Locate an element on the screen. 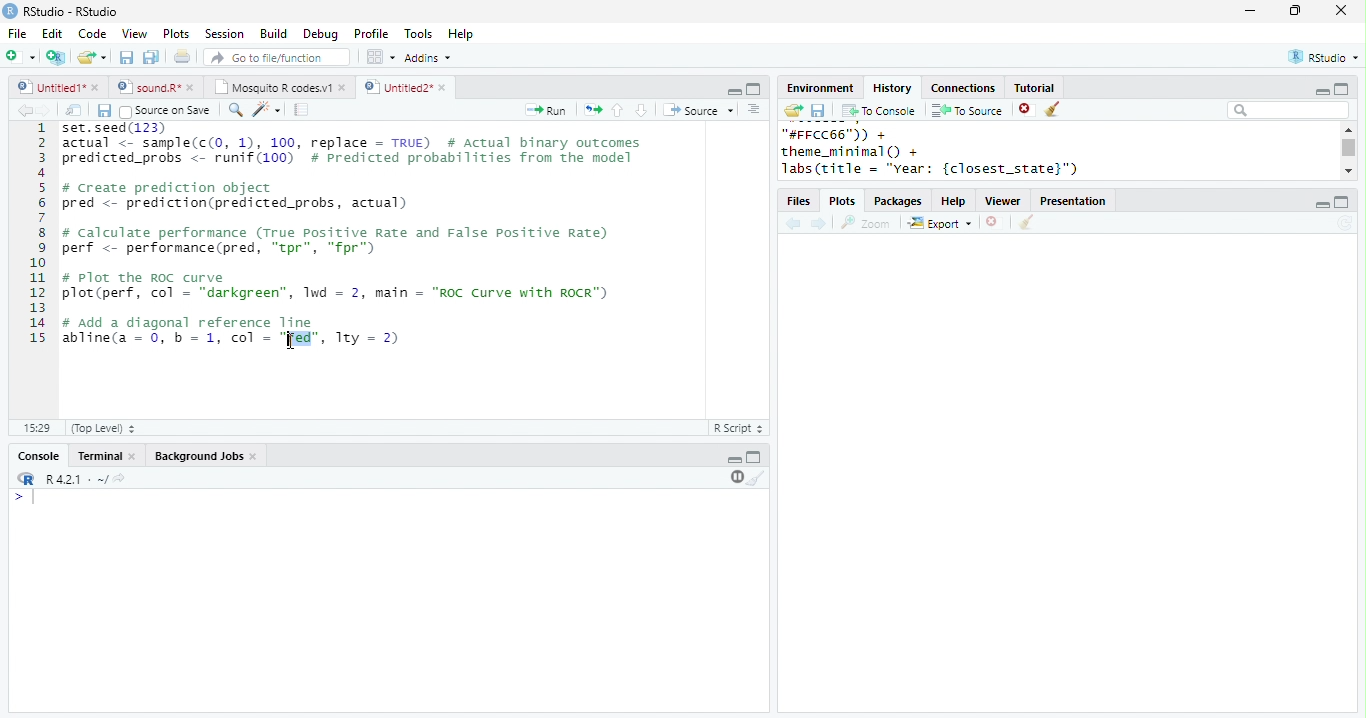 This screenshot has height=718, width=1366. minimize is located at coordinates (1321, 92).